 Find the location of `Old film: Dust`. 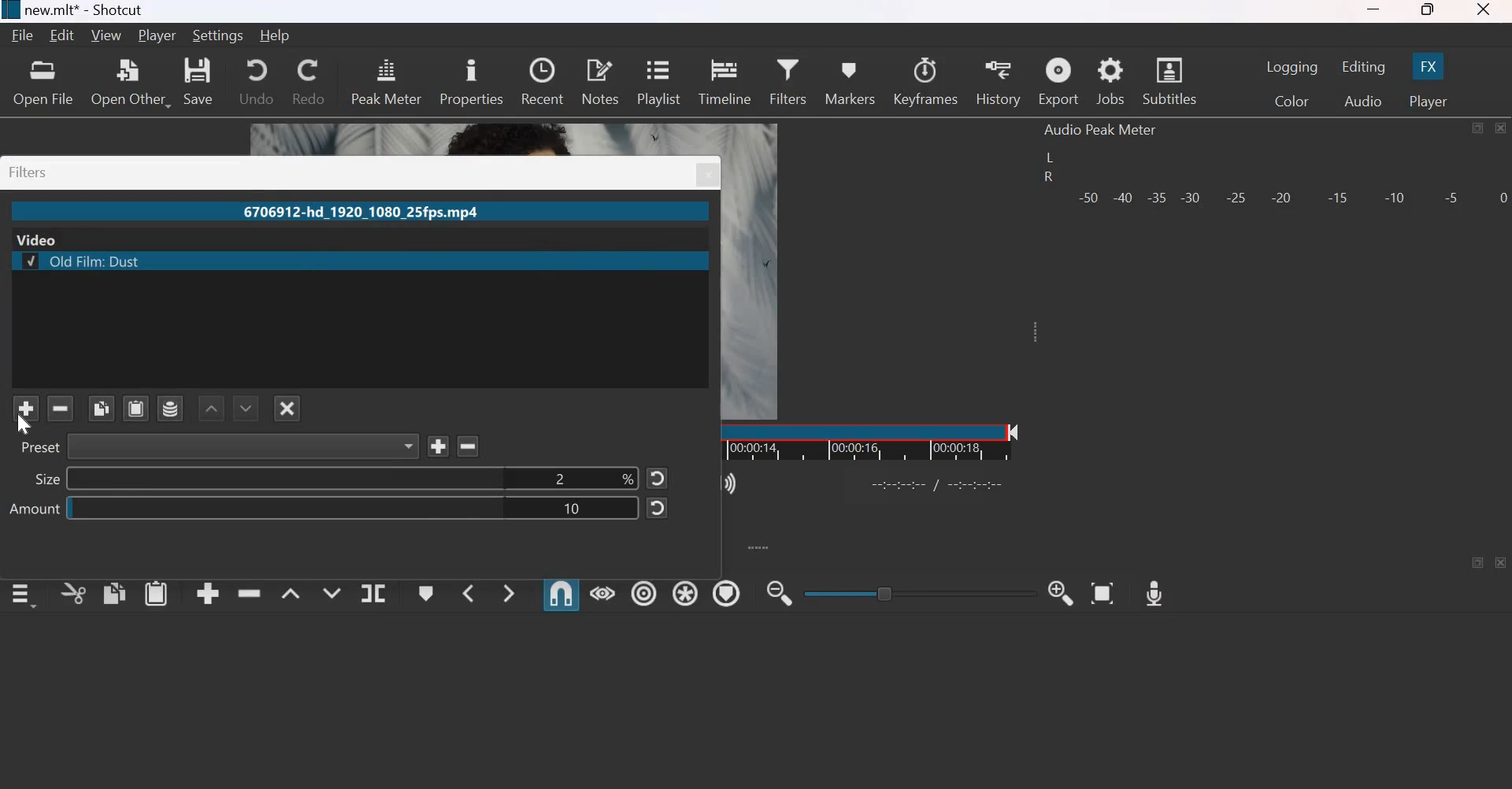

Old film: Dust is located at coordinates (82, 261).